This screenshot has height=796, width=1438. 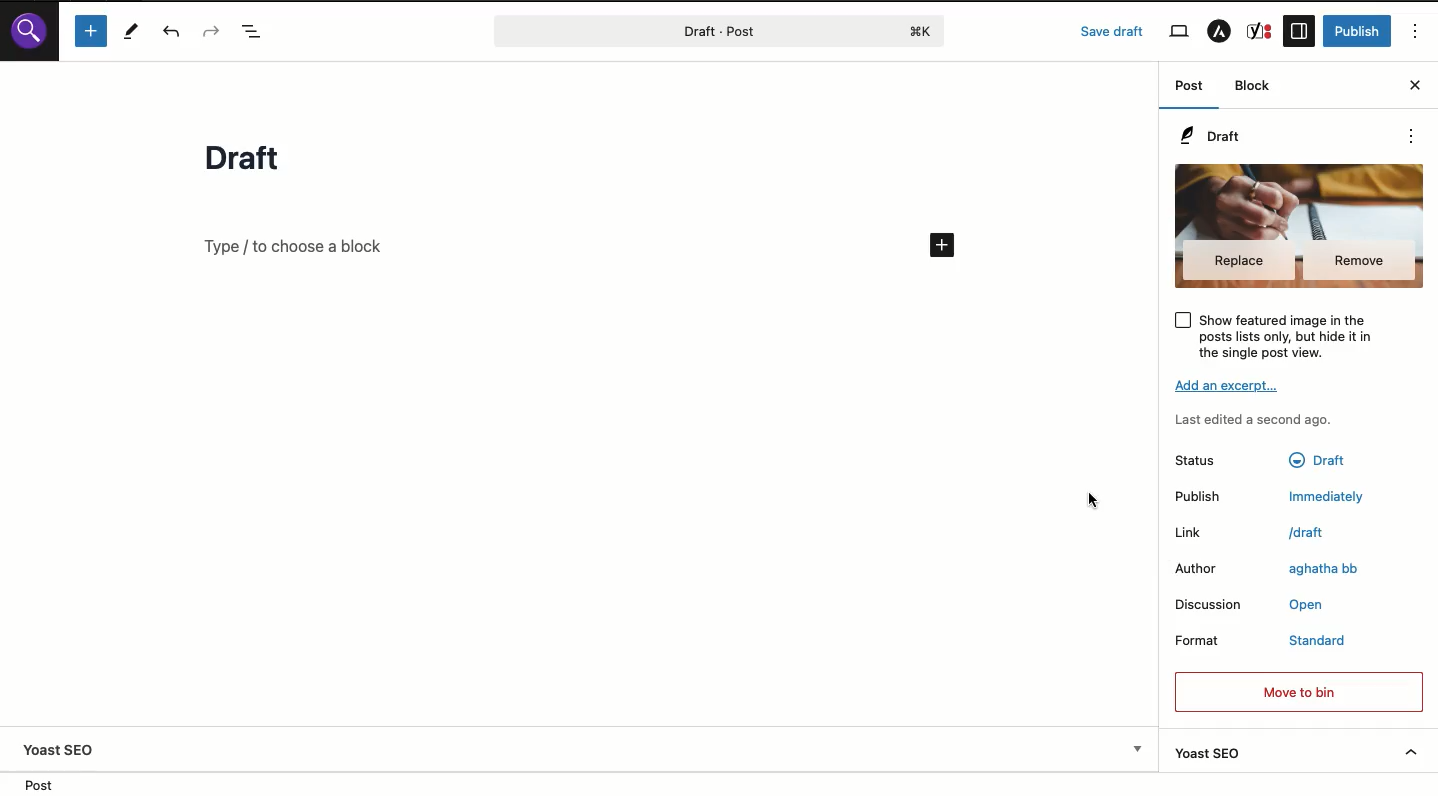 I want to click on Add excerpt, so click(x=1229, y=385).